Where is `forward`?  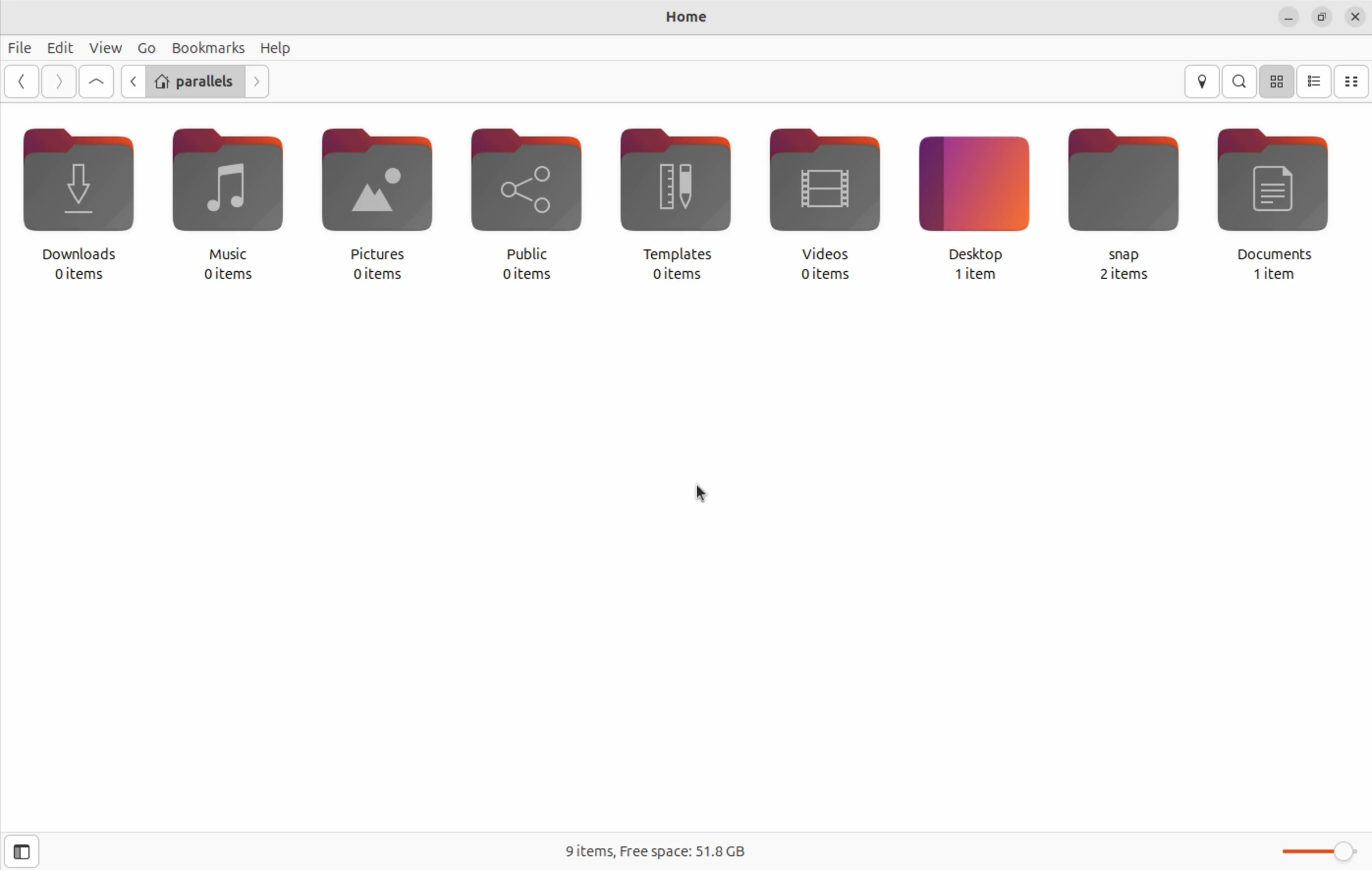 forward is located at coordinates (256, 84).